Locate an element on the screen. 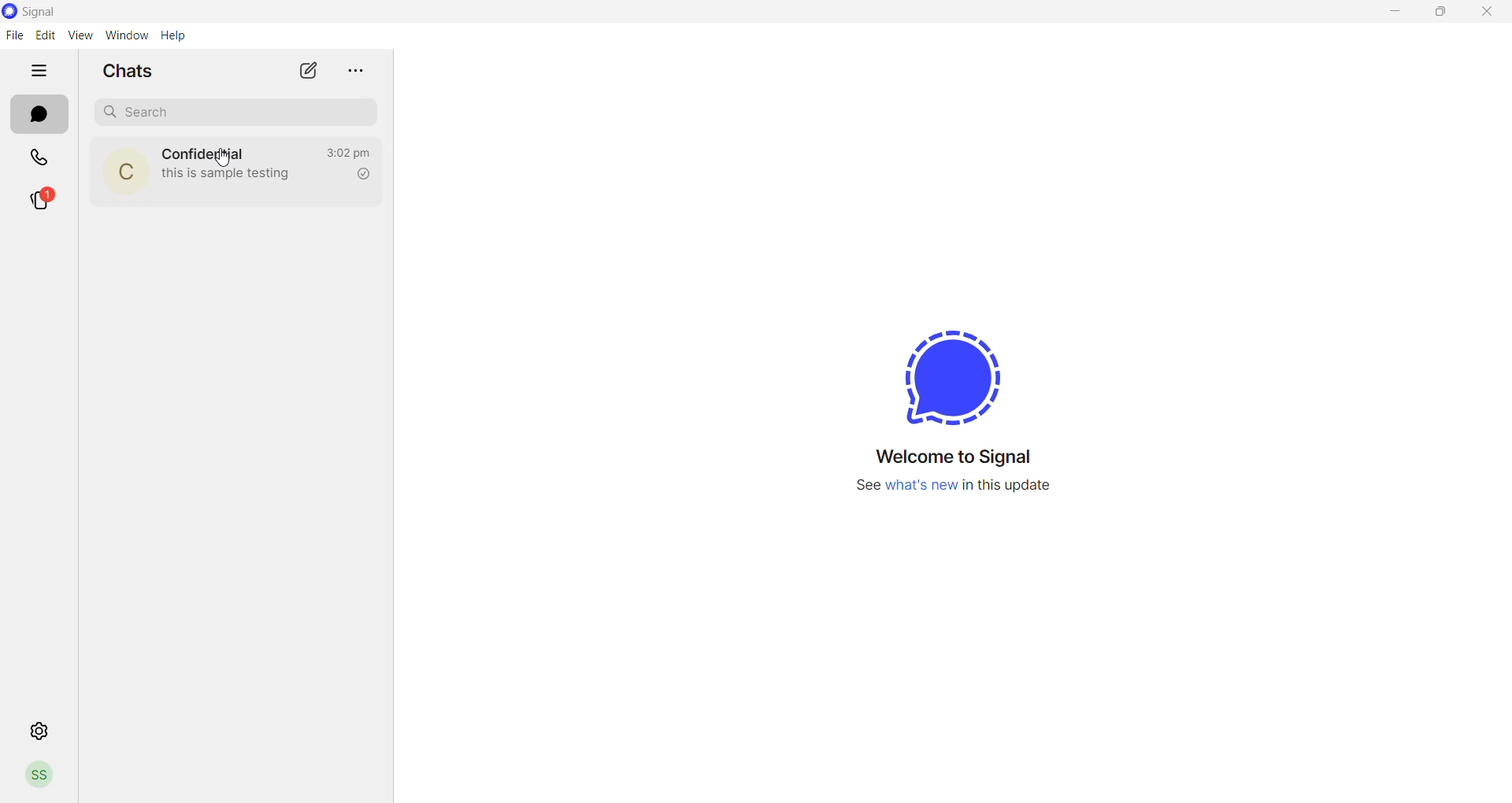 Image resolution: width=1512 pixels, height=803 pixels. profile picture is located at coordinates (124, 170).